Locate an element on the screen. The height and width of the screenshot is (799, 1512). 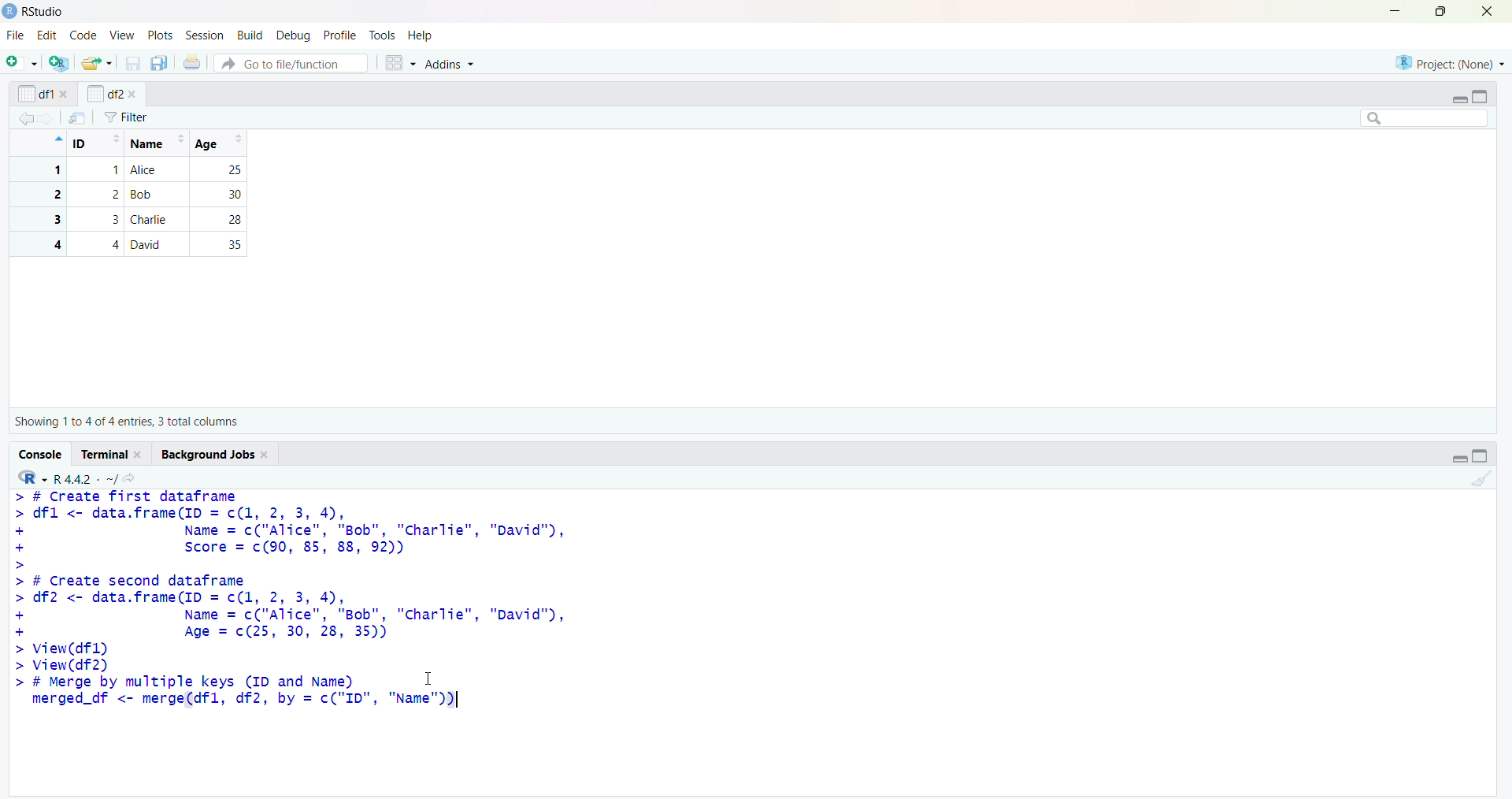
ID is located at coordinates (97, 143).